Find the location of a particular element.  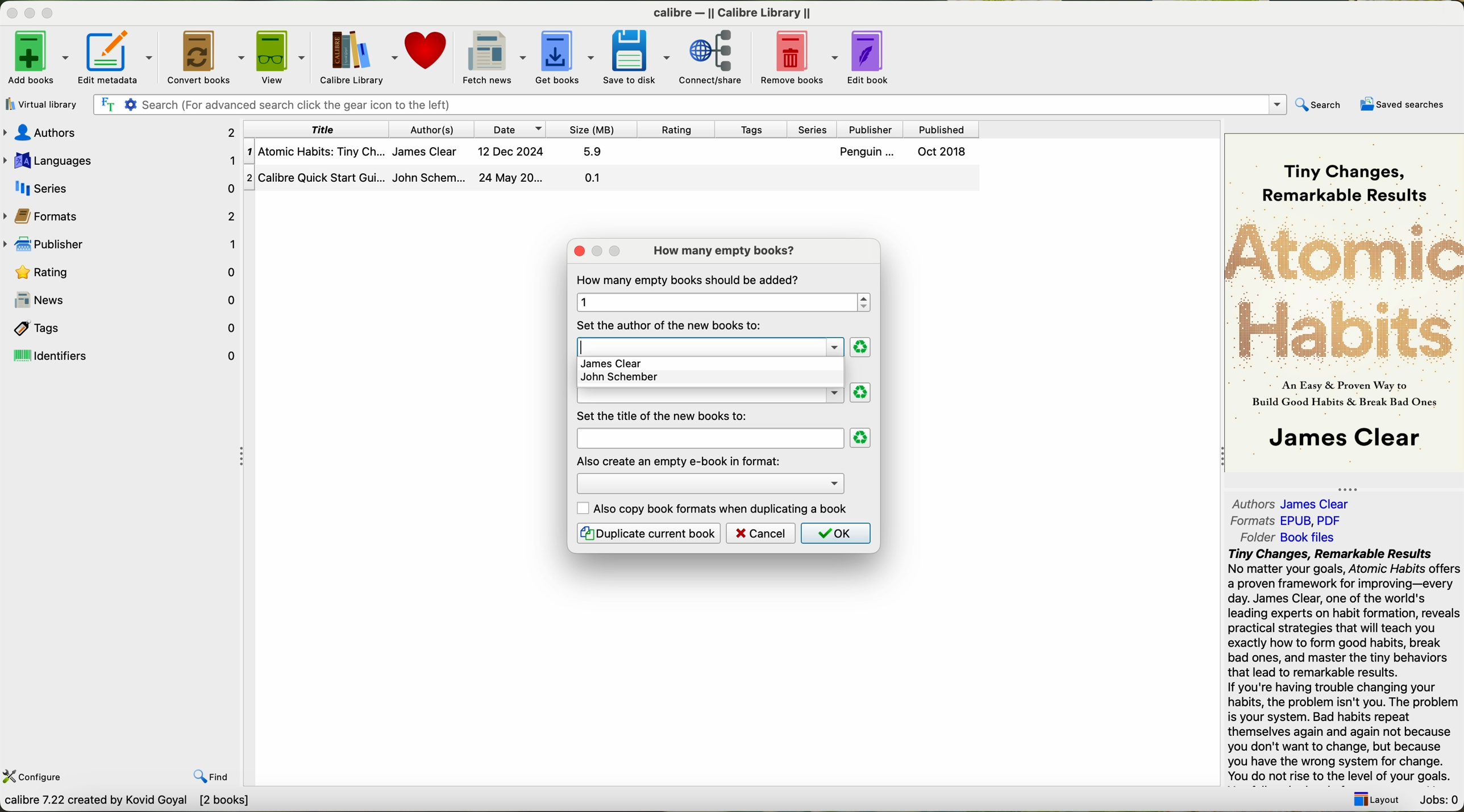

clear is located at coordinates (862, 393).